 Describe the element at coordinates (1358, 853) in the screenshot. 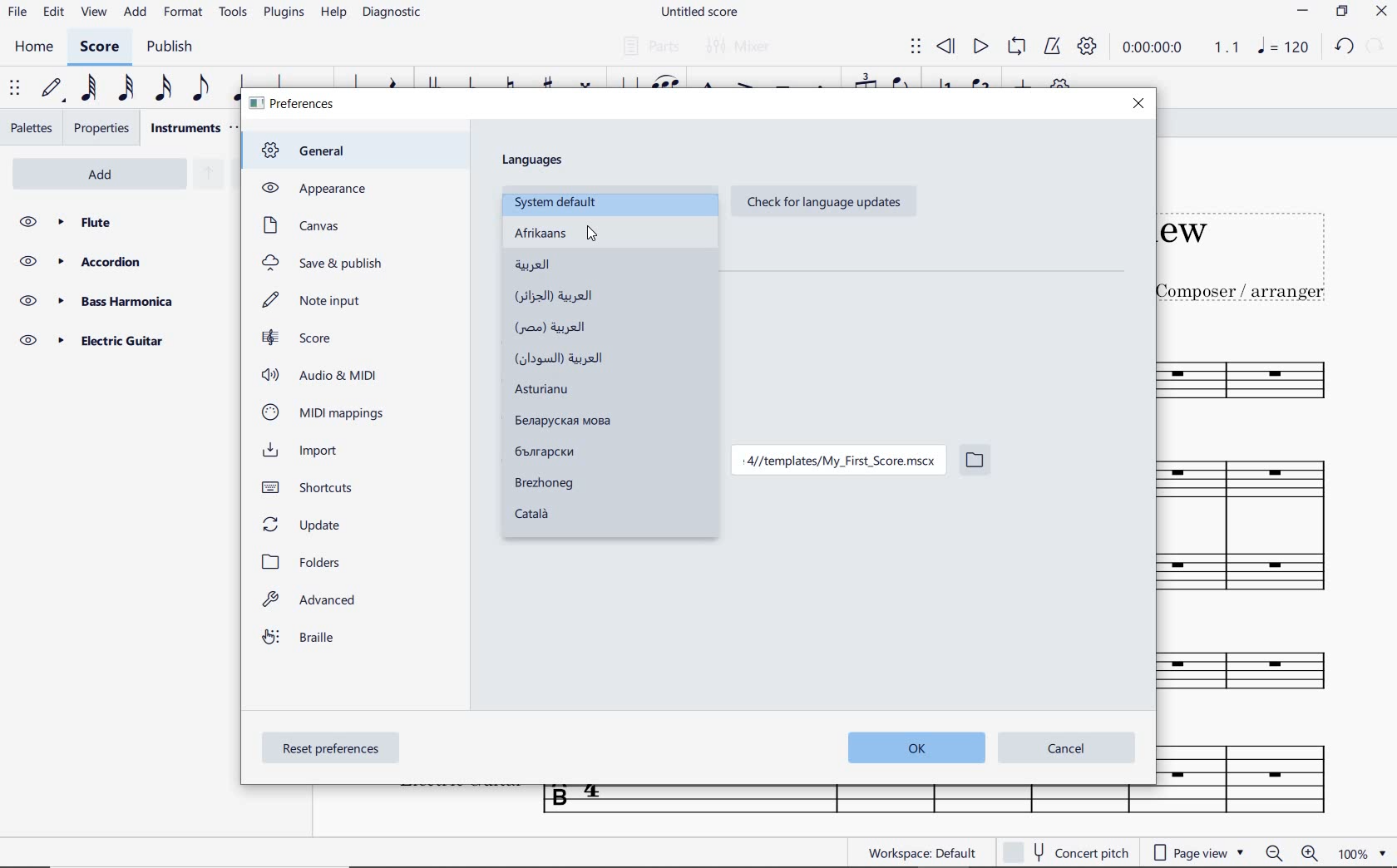

I see `zoom factor` at that location.